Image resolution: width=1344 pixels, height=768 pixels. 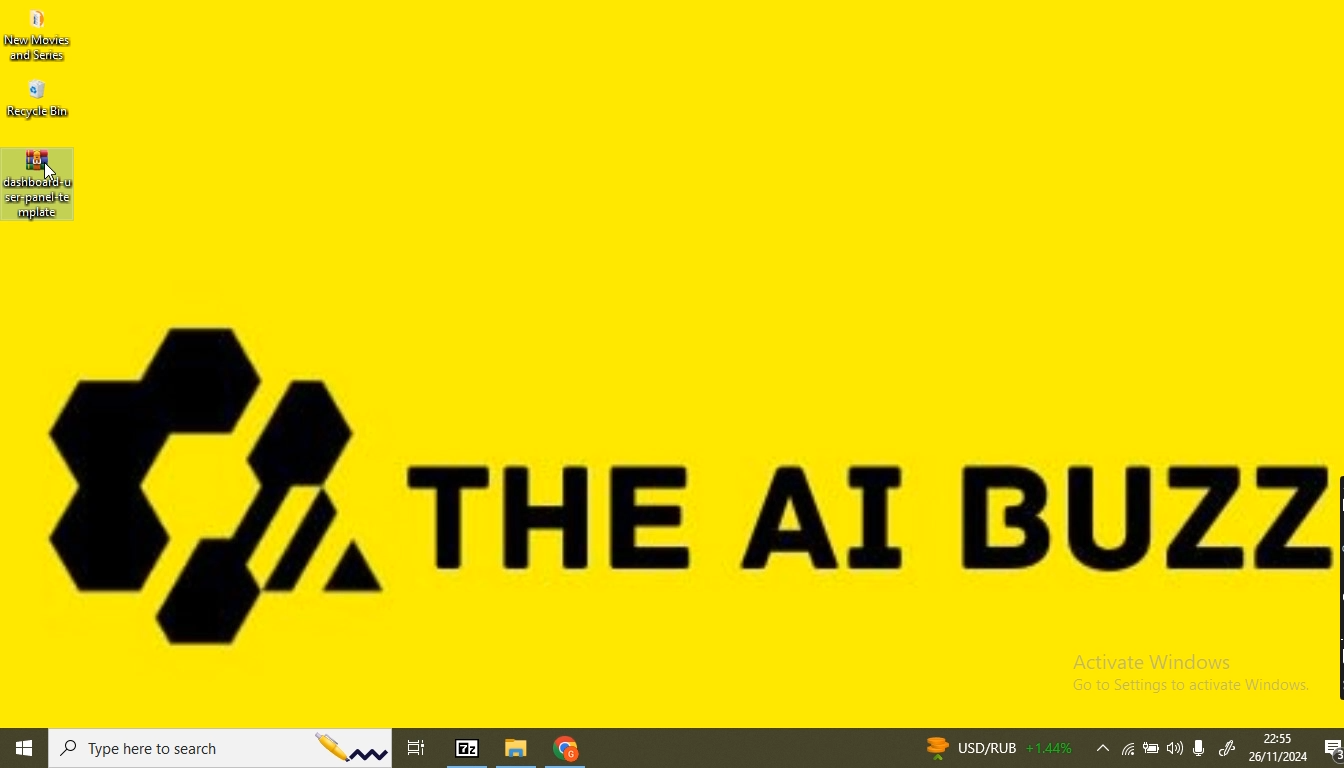 What do you see at coordinates (44, 37) in the screenshot?
I see `new movies and series` at bounding box center [44, 37].